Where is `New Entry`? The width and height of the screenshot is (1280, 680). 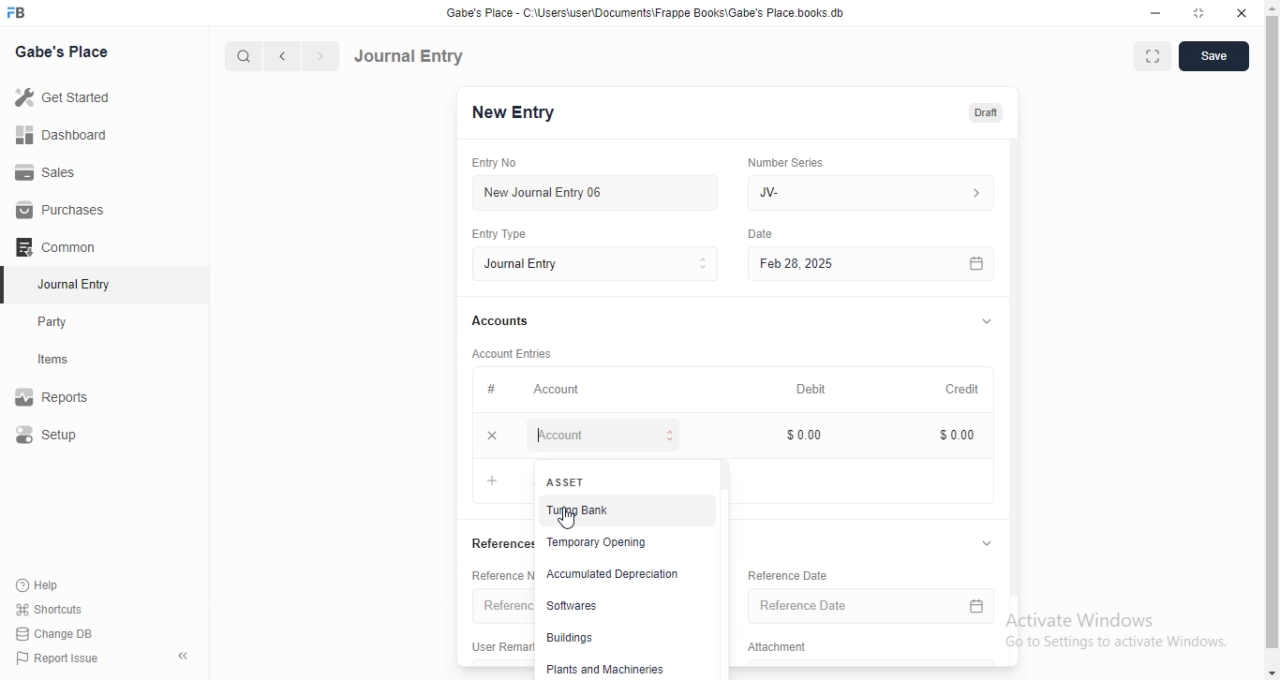 New Entry is located at coordinates (519, 113).